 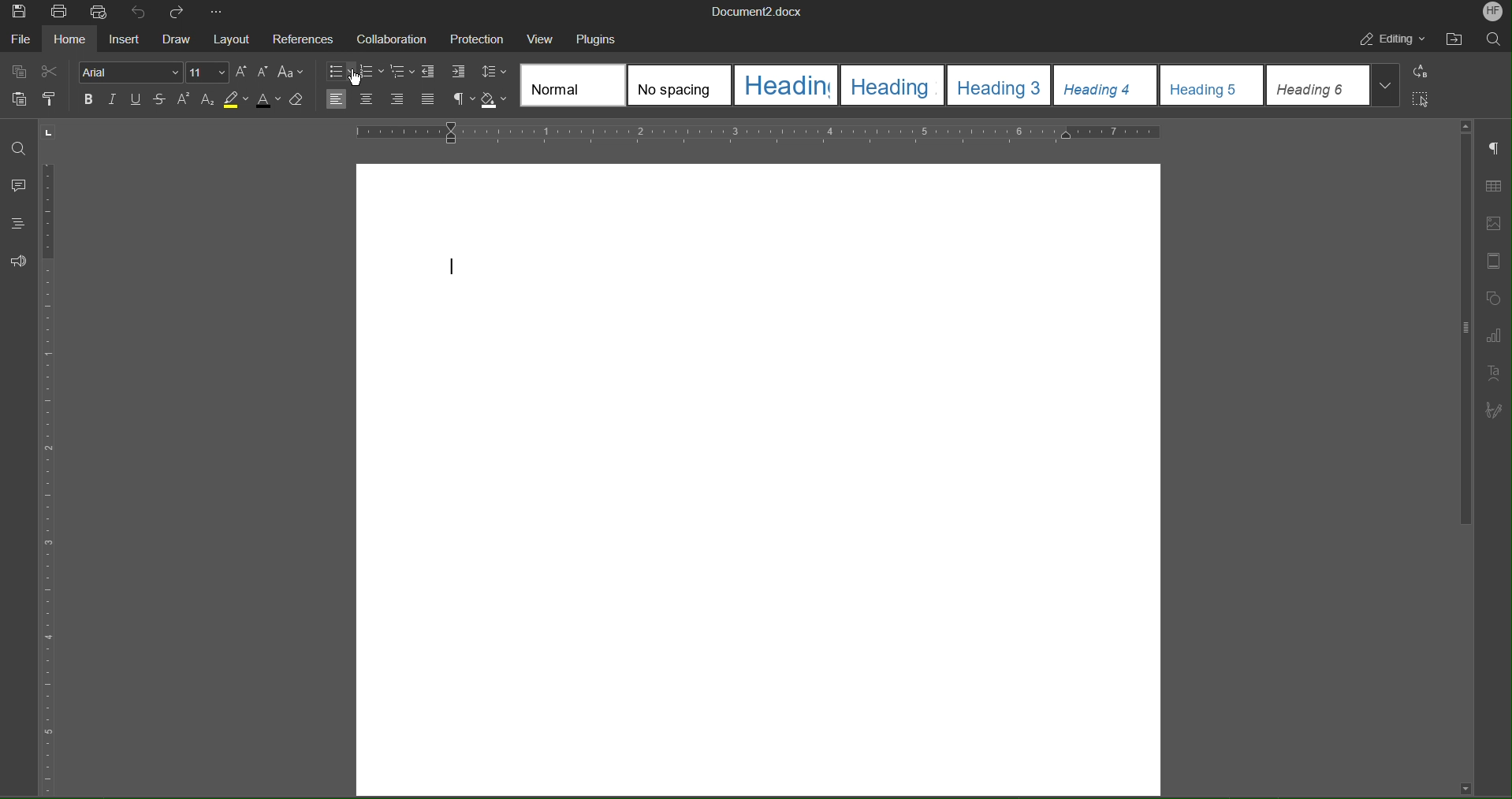 I want to click on More, so click(x=221, y=14).